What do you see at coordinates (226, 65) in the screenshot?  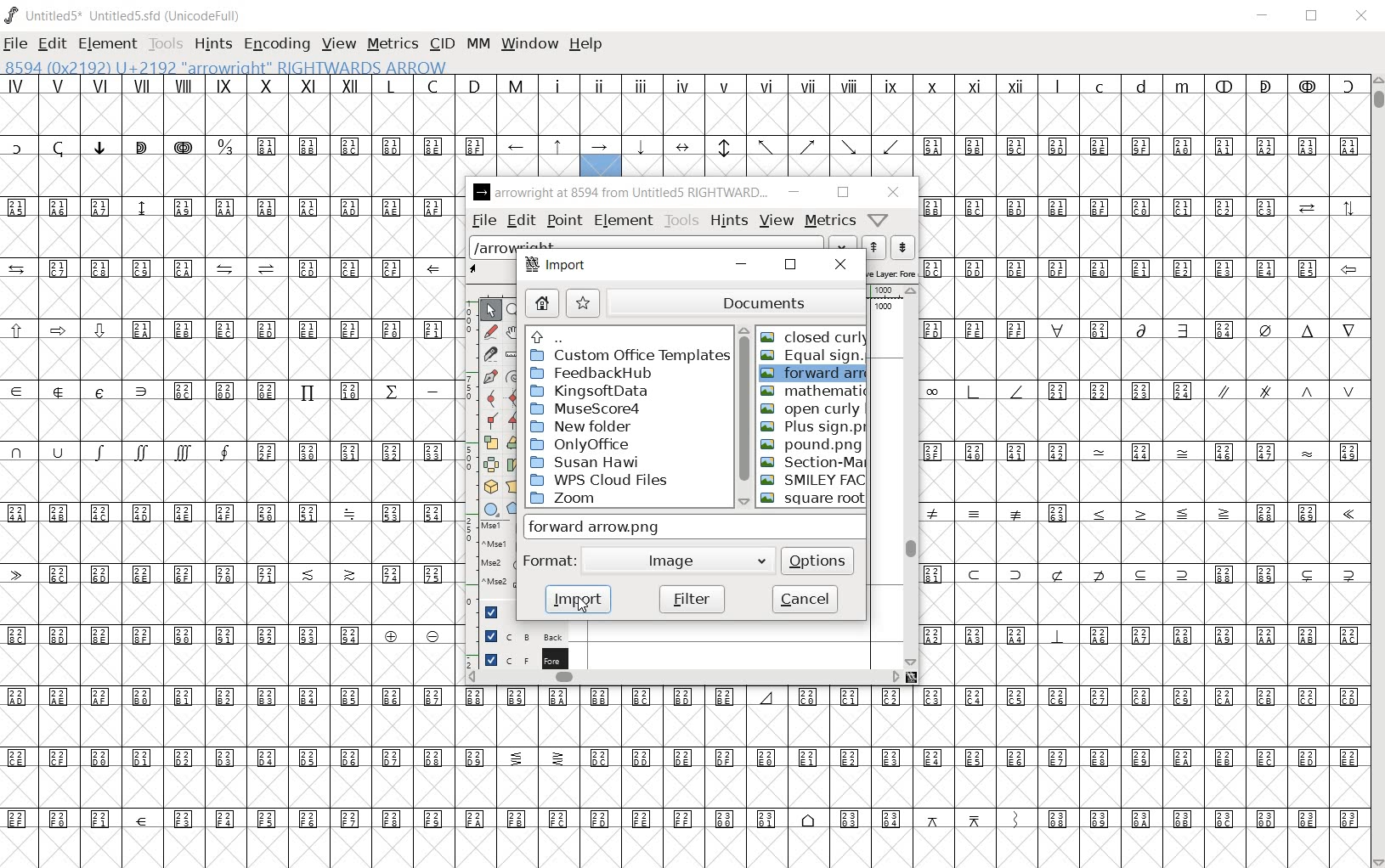 I see `8594 (0x2192) U+2192 "arrowright" RIGHTWARDS ARROW` at bounding box center [226, 65].